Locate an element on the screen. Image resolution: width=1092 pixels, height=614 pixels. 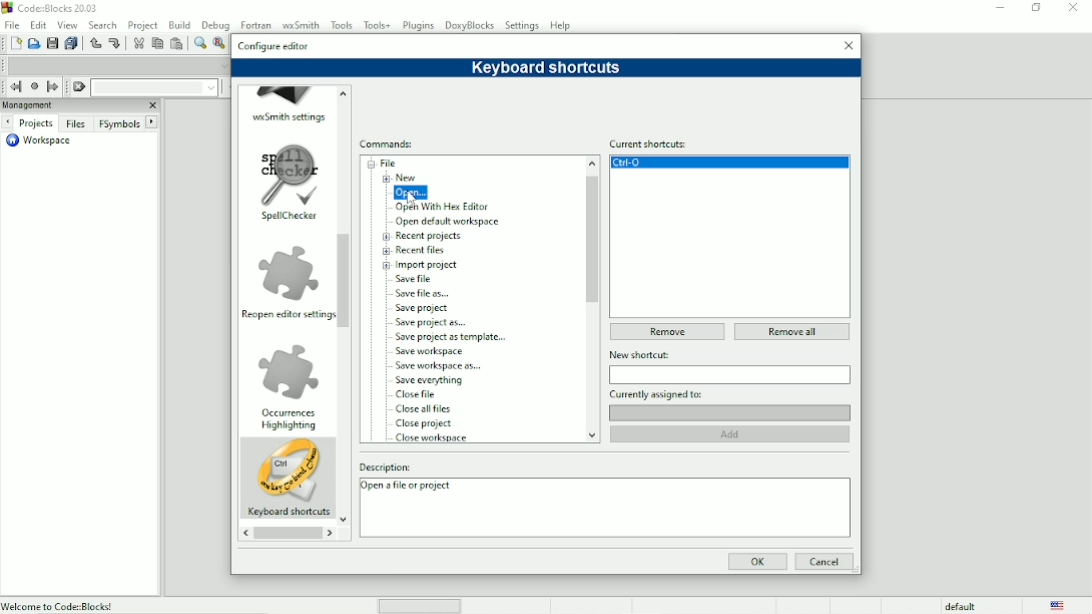
Drop down is located at coordinates (210, 88).